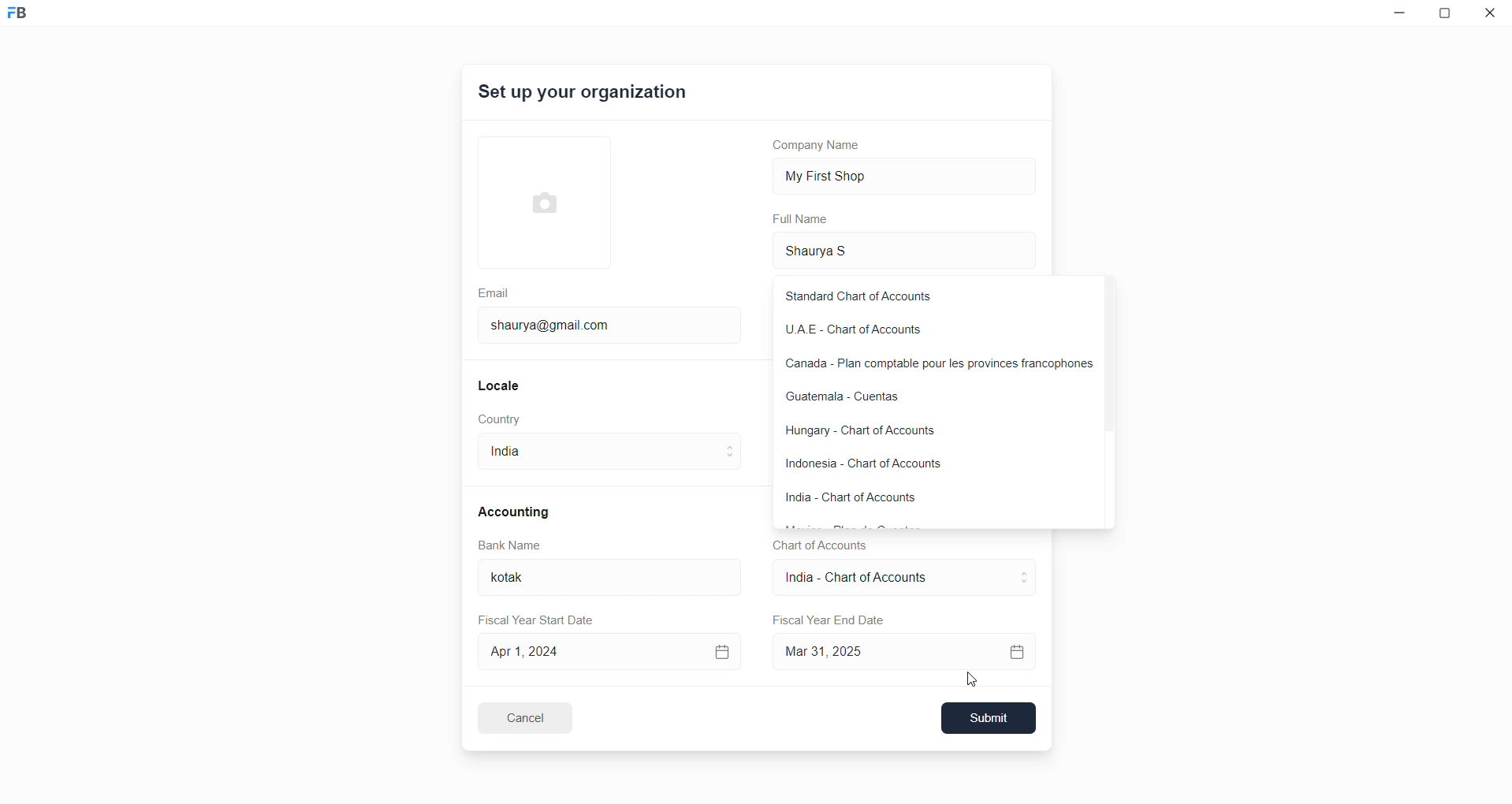 This screenshot has width=1512, height=804. What do you see at coordinates (500, 385) in the screenshot?
I see `Locale` at bounding box center [500, 385].